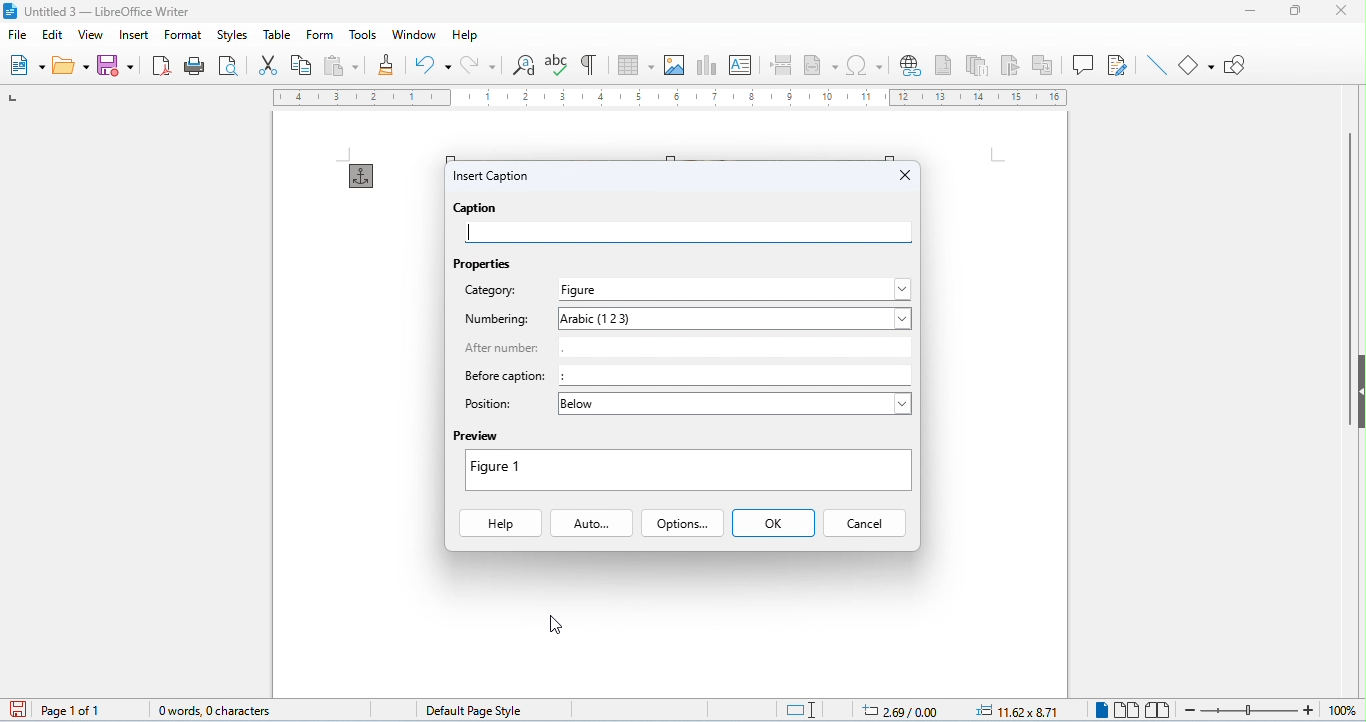 The height and width of the screenshot is (722, 1366). What do you see at coordinates (555, 625) in the screenshot?
I see `cursor movement` at bounding box center [555, 625].